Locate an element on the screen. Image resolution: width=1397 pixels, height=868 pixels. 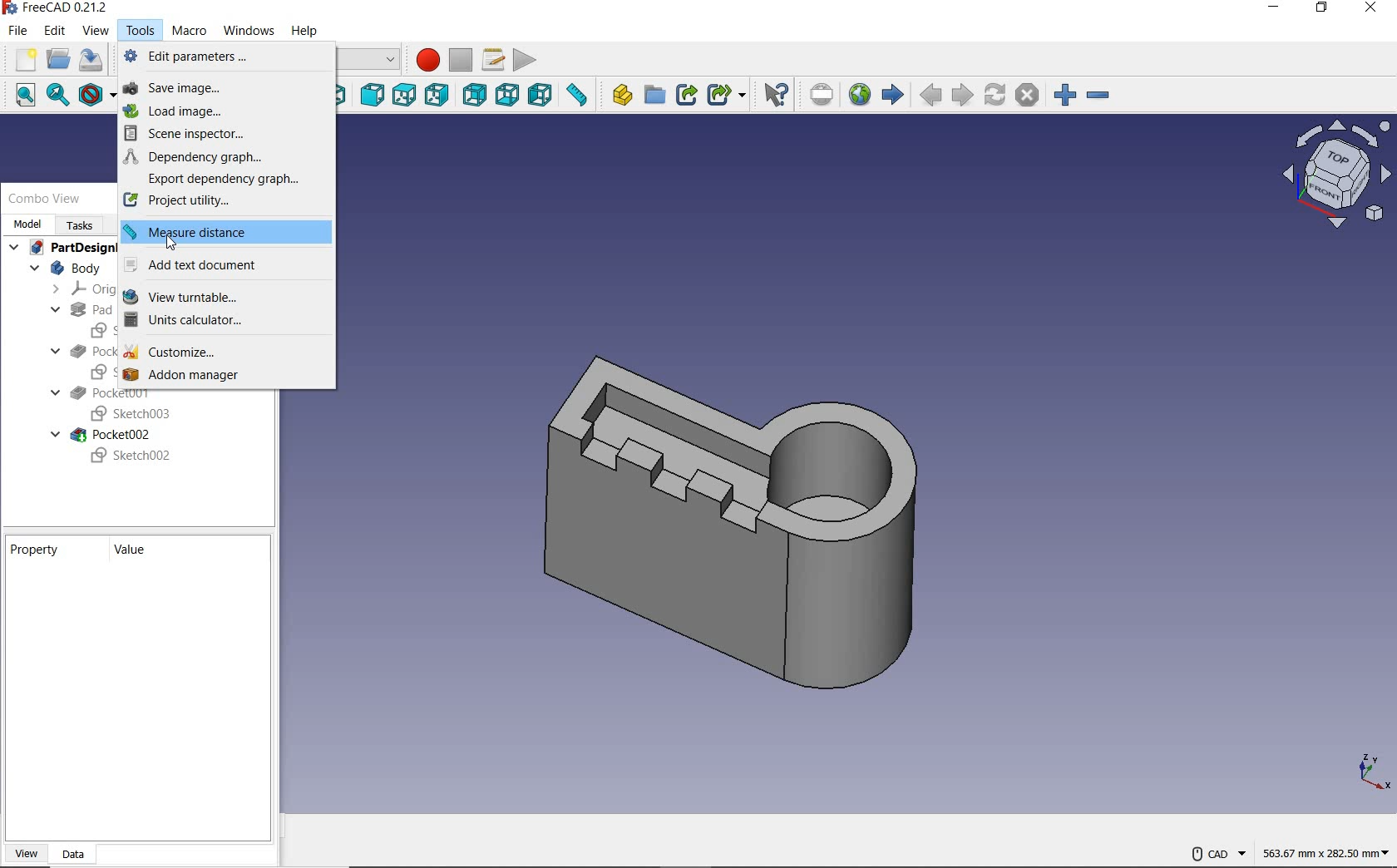
fit all is located at coordinates (18, 96).